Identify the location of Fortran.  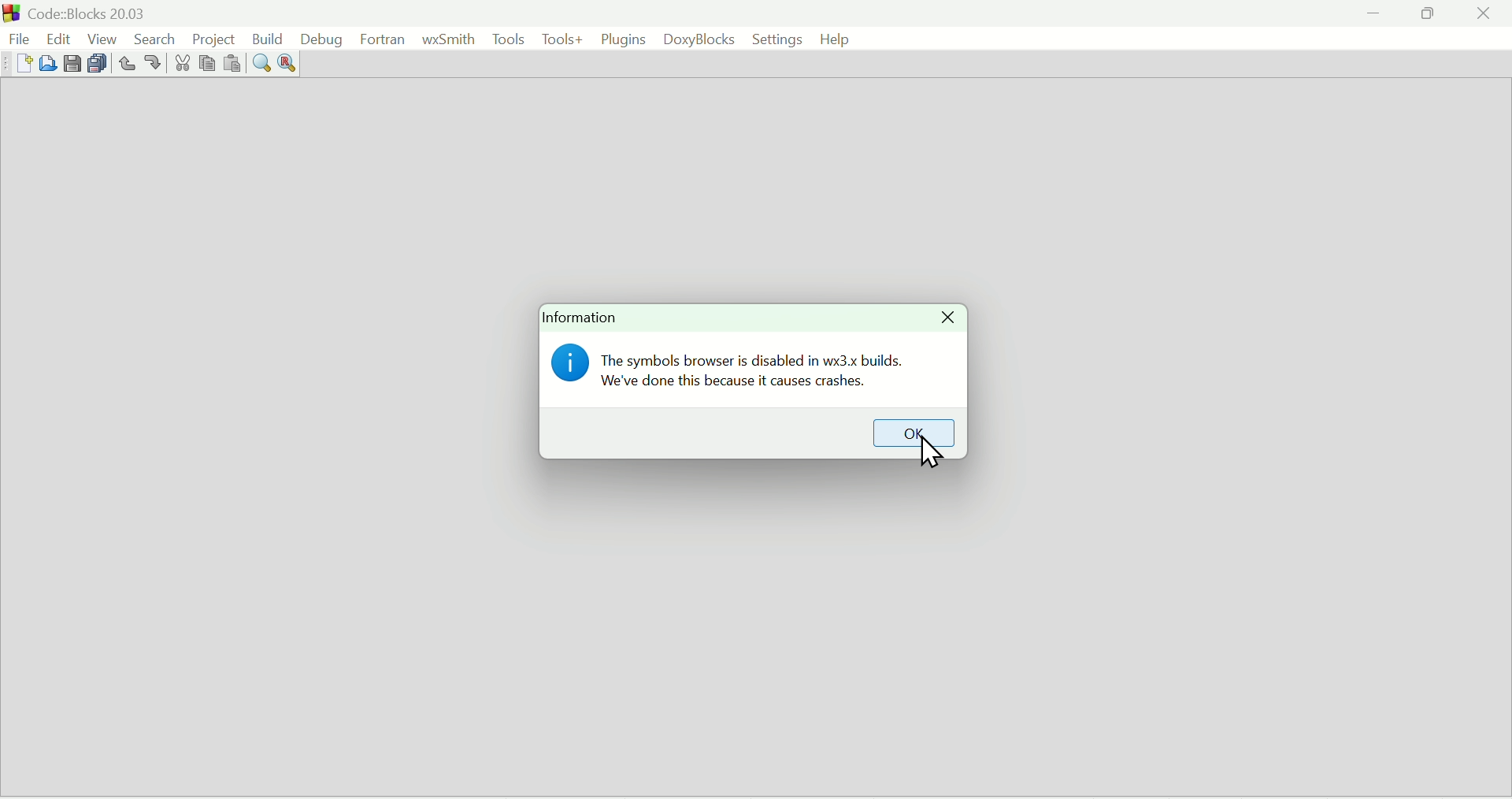
(384, 39).